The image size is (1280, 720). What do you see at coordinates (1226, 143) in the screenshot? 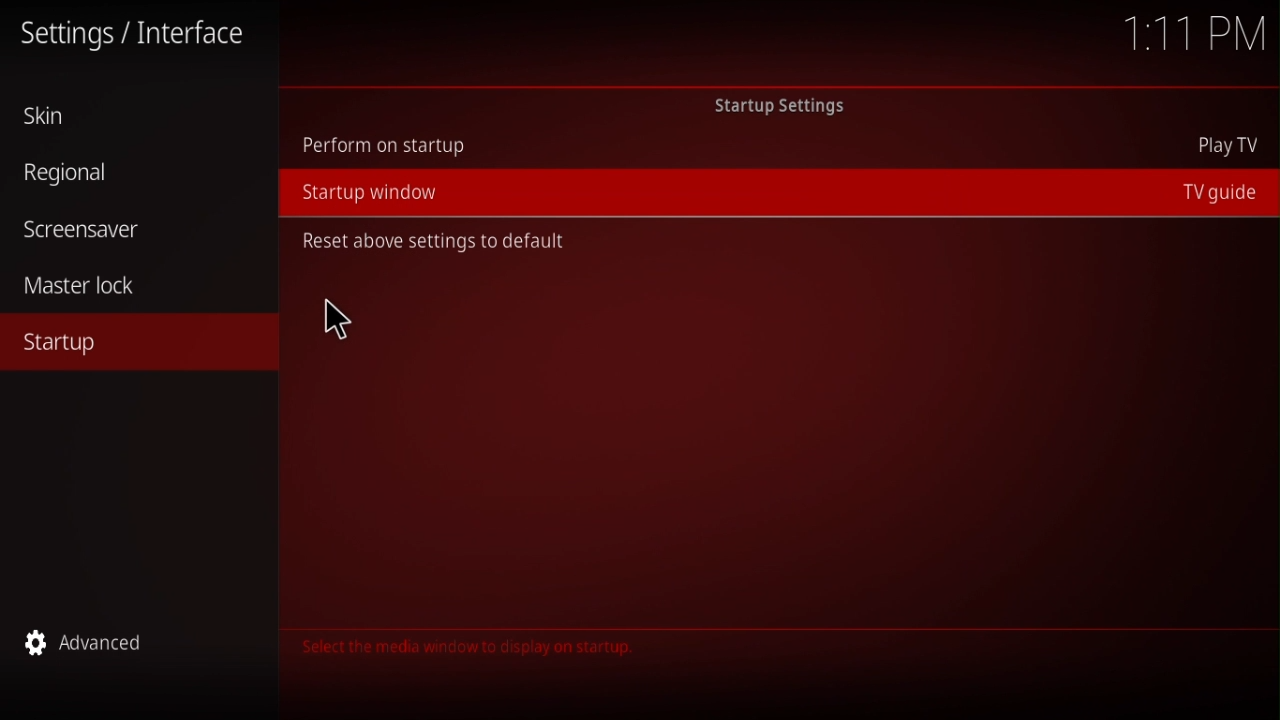
I see `Play TV` at bounding box center [1226, 143].